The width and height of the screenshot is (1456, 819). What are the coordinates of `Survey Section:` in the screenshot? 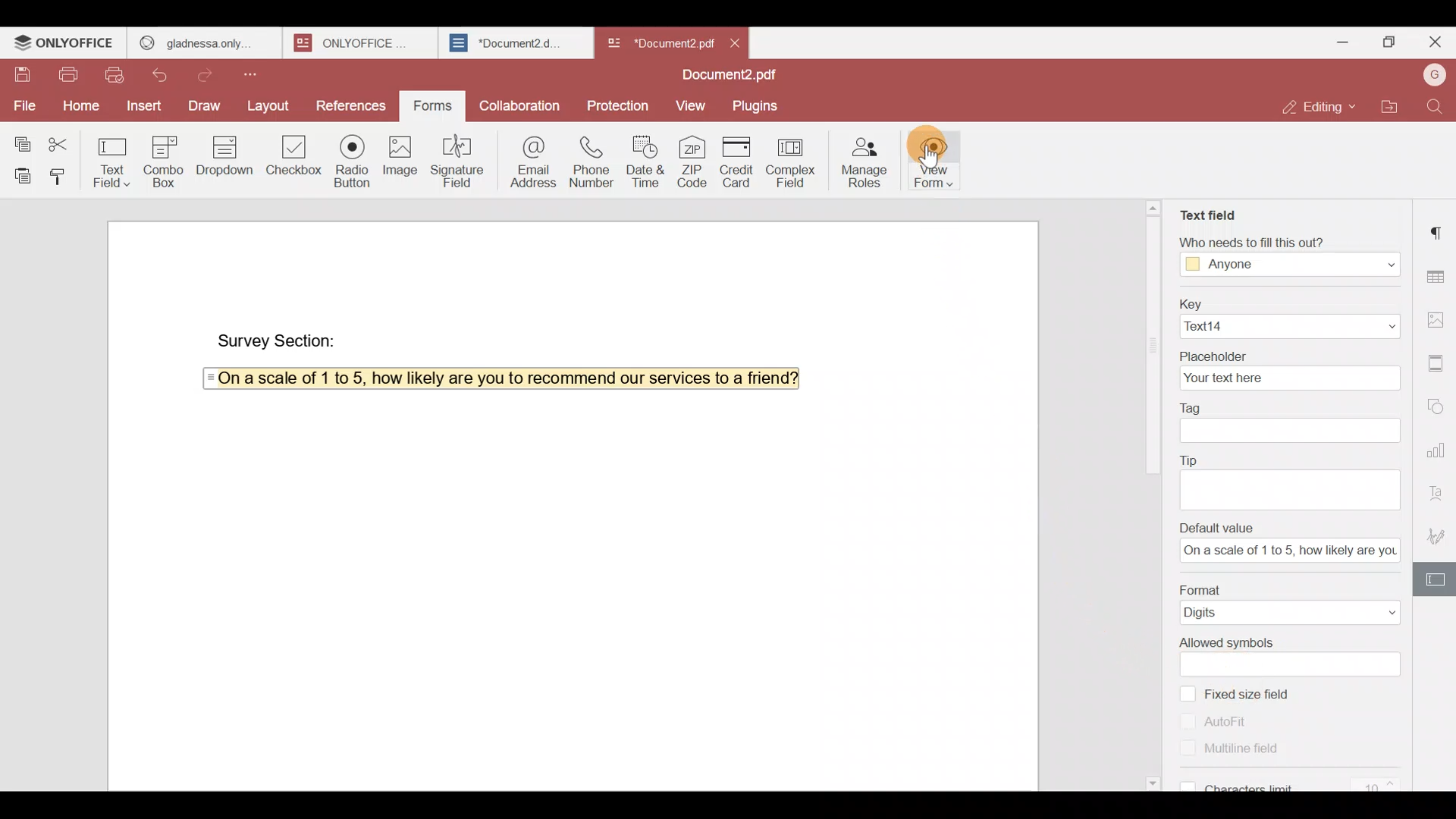 It's located at (280, 340).